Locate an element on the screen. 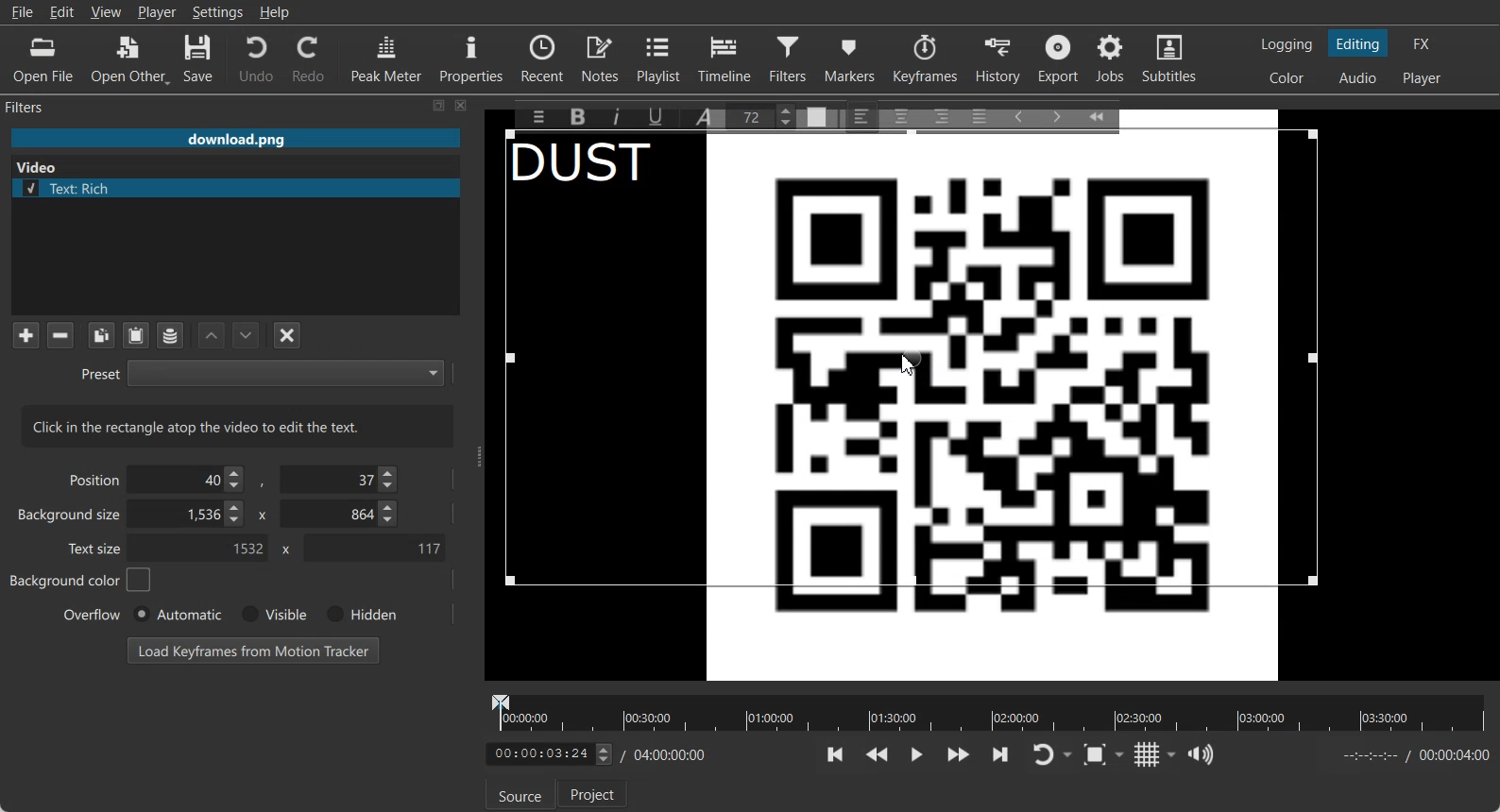 This screenshot has height=812, width=1500. Show the volume control is located at coordinates (1201, 755).